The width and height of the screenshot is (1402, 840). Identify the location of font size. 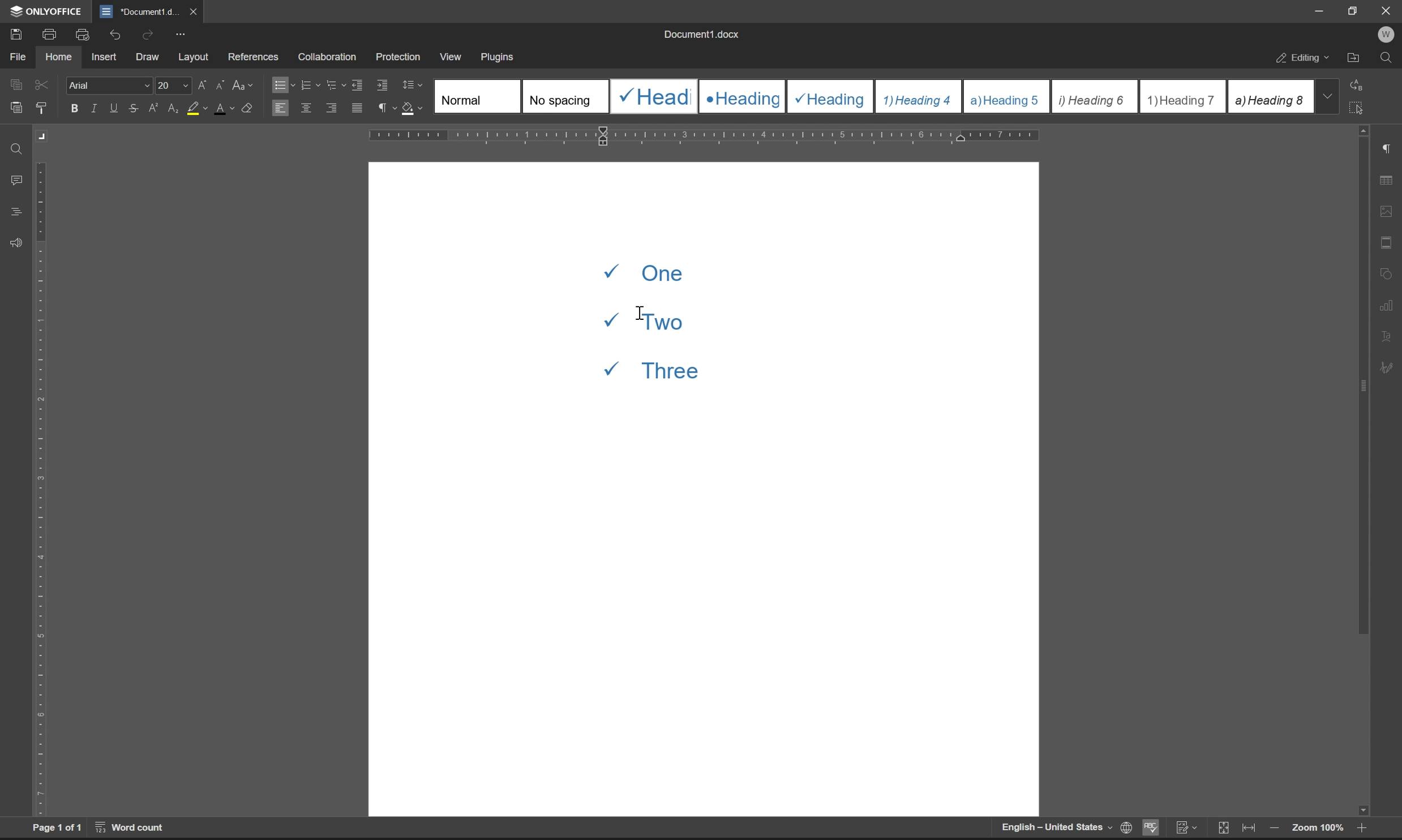
(171, 84).